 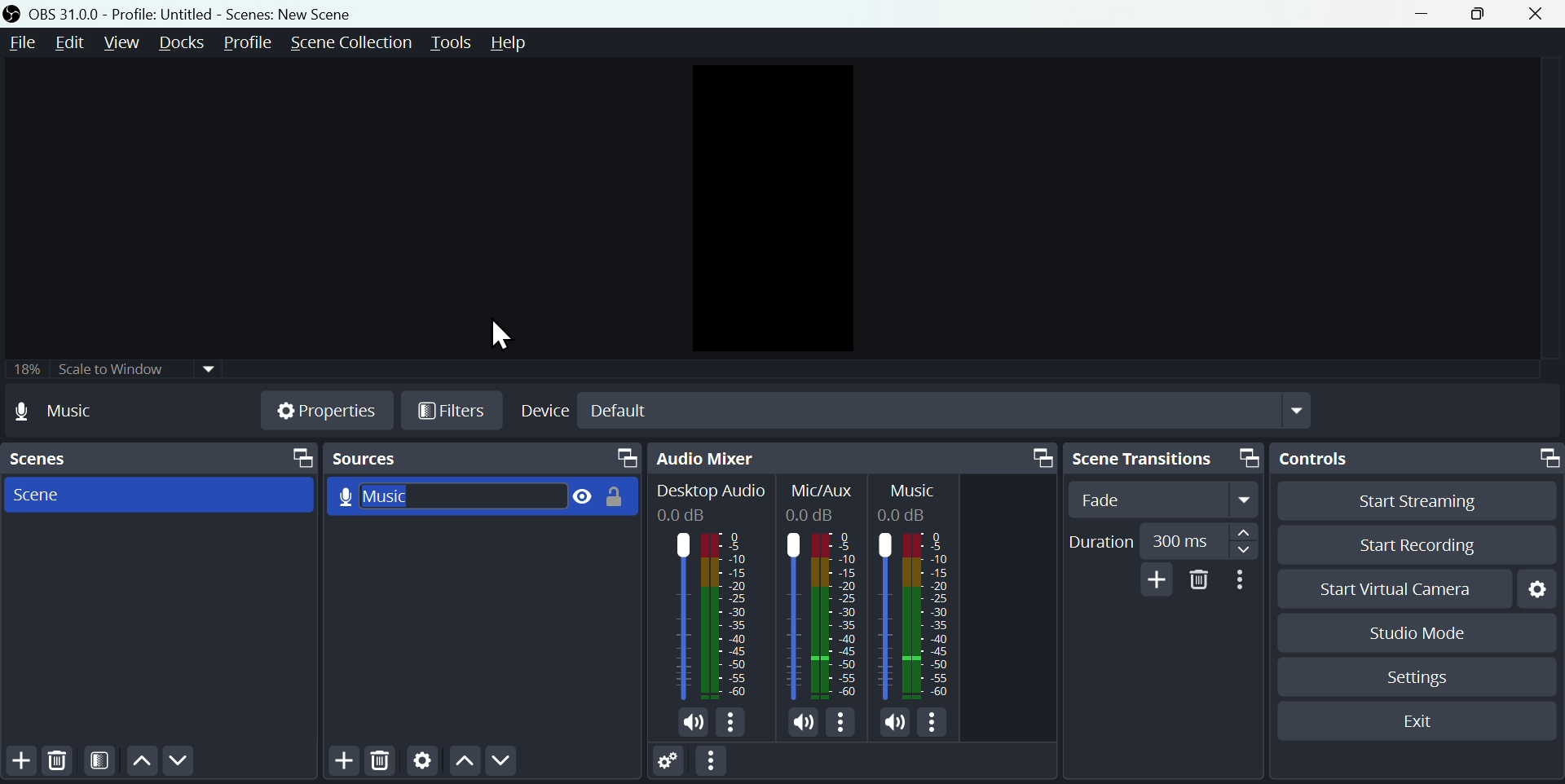 What do you see at coordinates (1170, 500) in the screenshot?
I see `fade` at bounding box center [1170, 500].